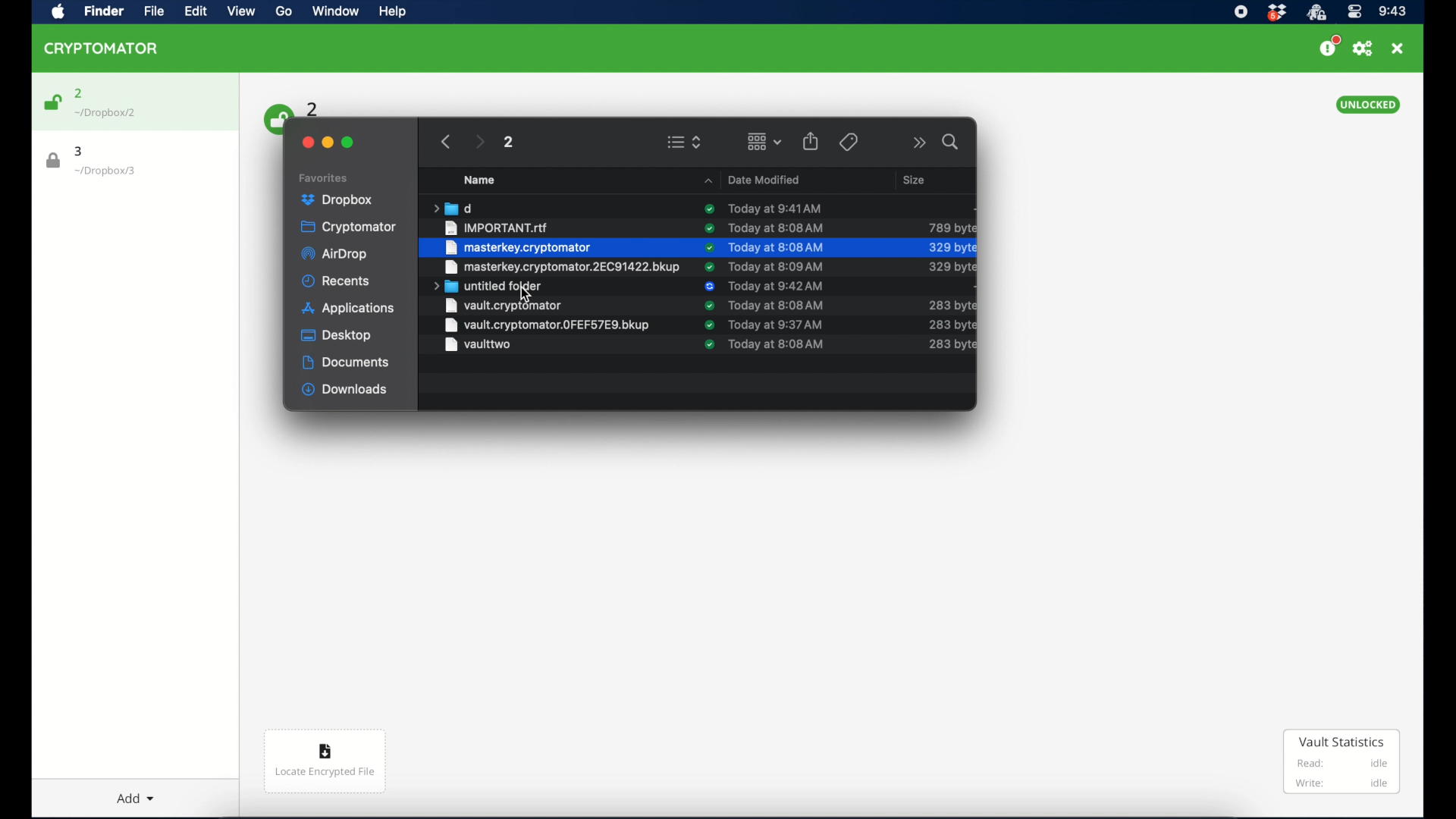 The height and width of the screenshot is (819, 1456). Describe the element at coordinates (507, 142) in the screenshot. I see `2` at that location.